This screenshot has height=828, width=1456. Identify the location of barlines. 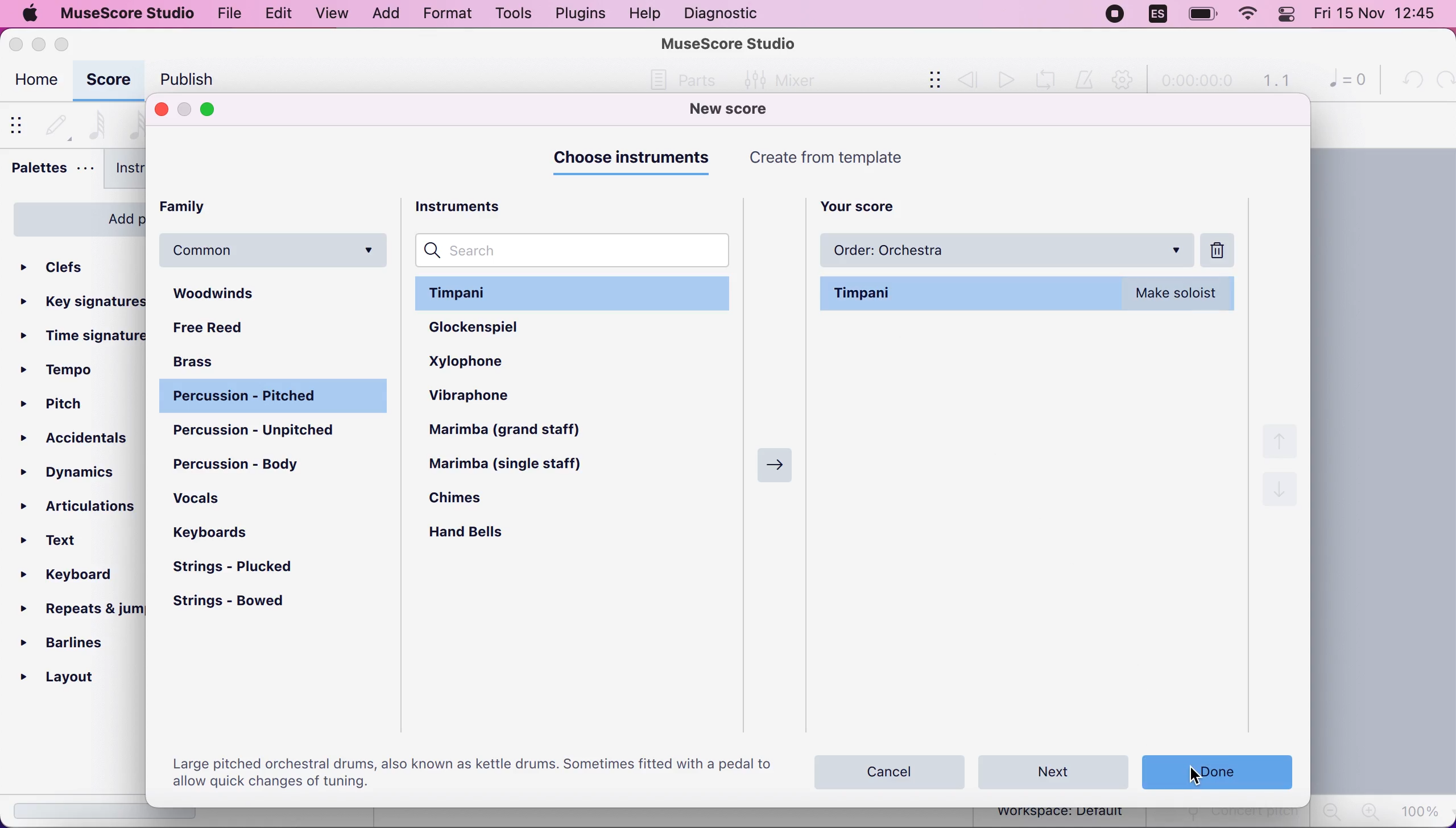
(75, 642).